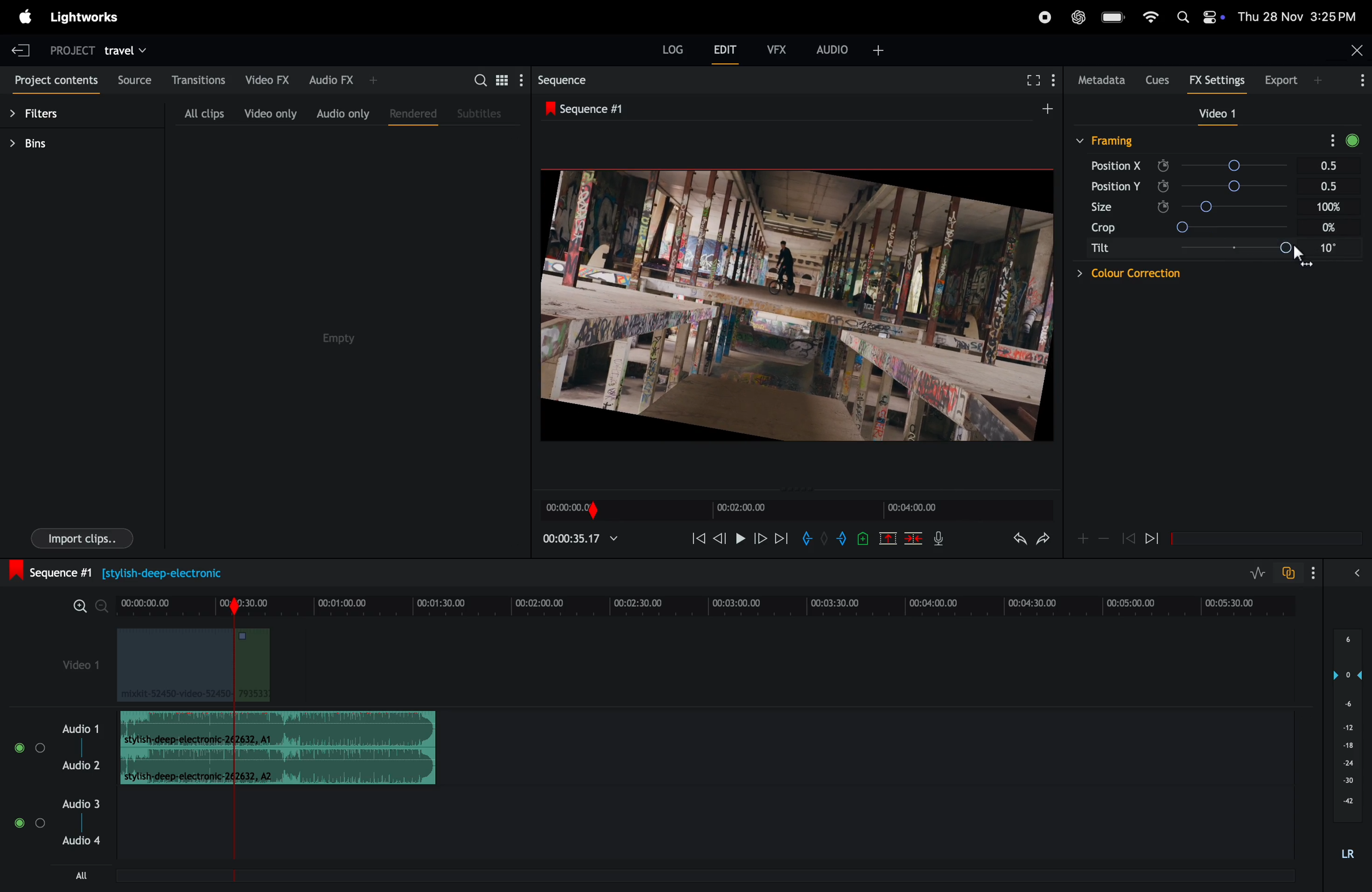  What do you see at coordinates (41, 827) in the screenshot?
I see `Solo track` at bounding box center [41, 827].